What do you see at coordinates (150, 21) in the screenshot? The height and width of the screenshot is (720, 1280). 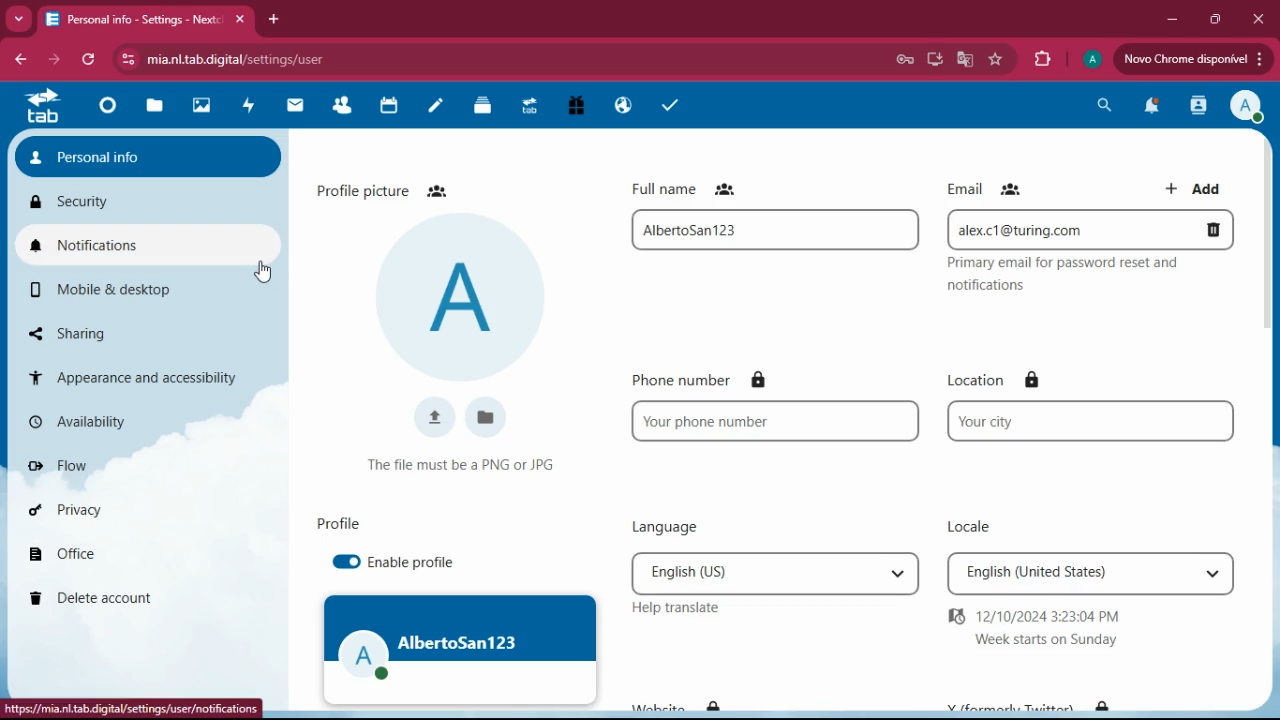 I see `tab` at bounding box center [150, 21].